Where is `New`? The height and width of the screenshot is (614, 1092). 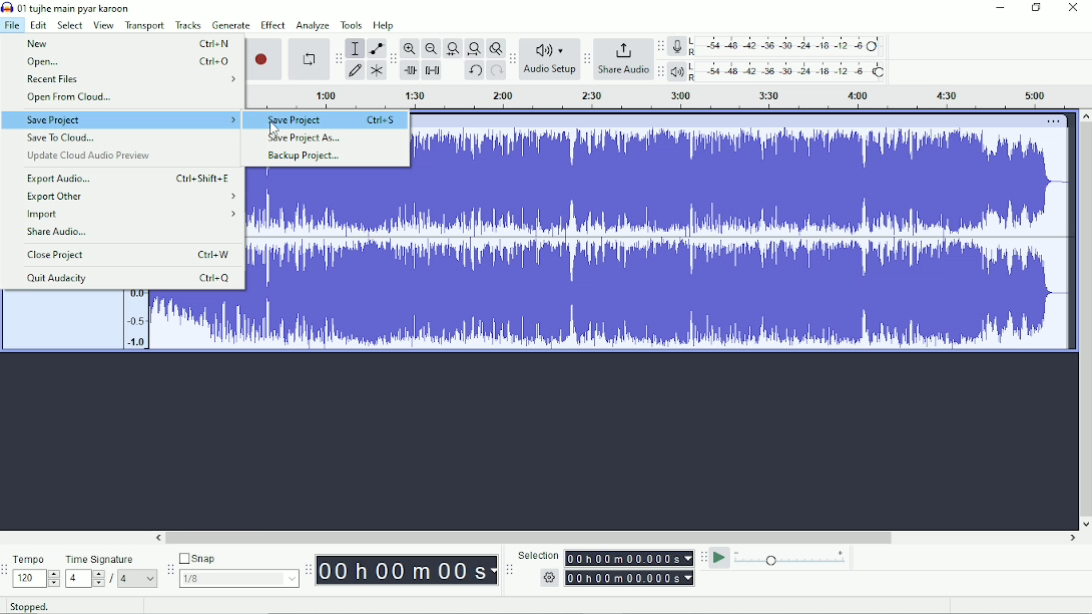 New is located at coordinates (127, 44).